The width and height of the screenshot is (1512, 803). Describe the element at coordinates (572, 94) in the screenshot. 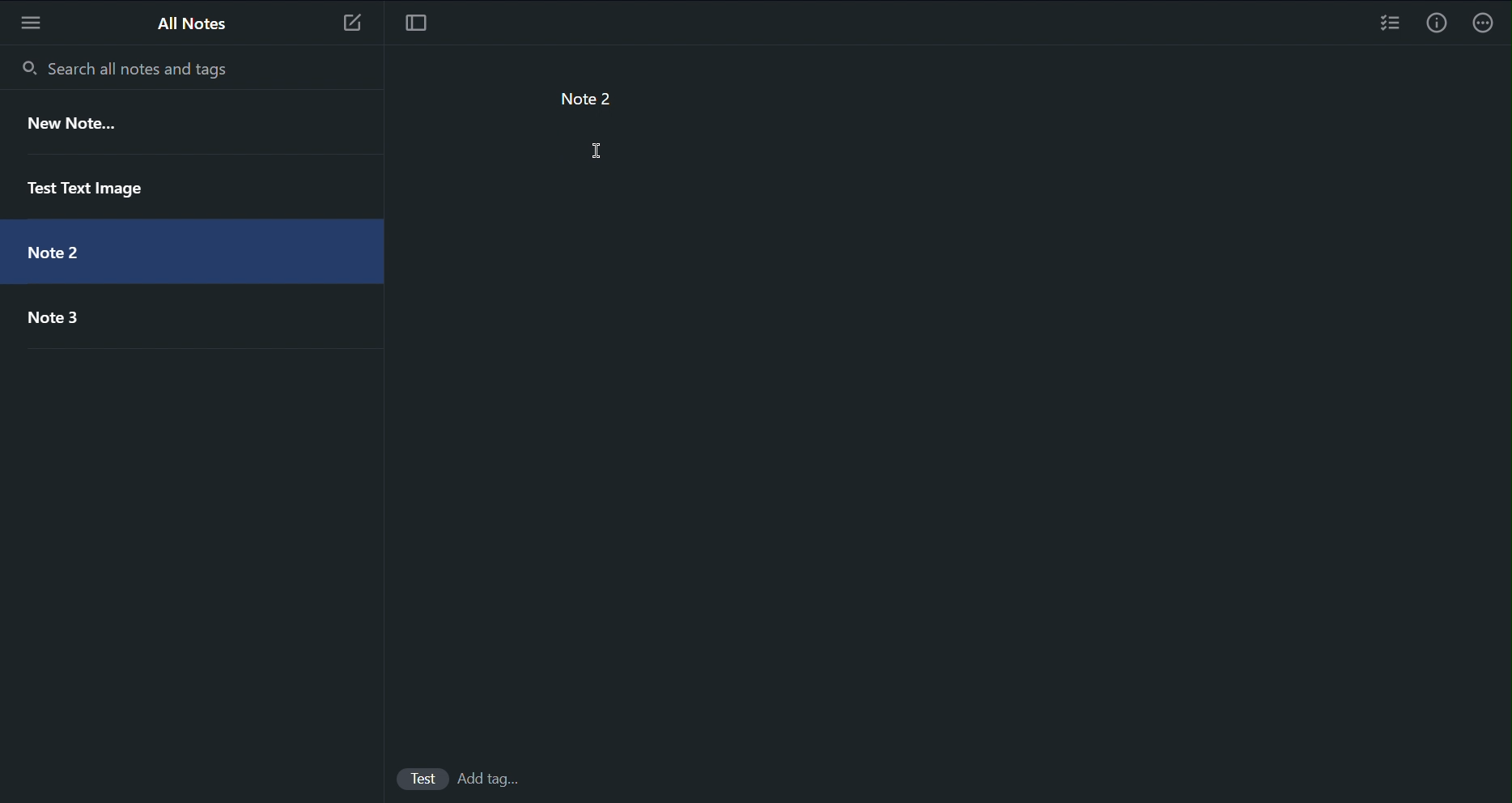

I see `note 2` at that location.